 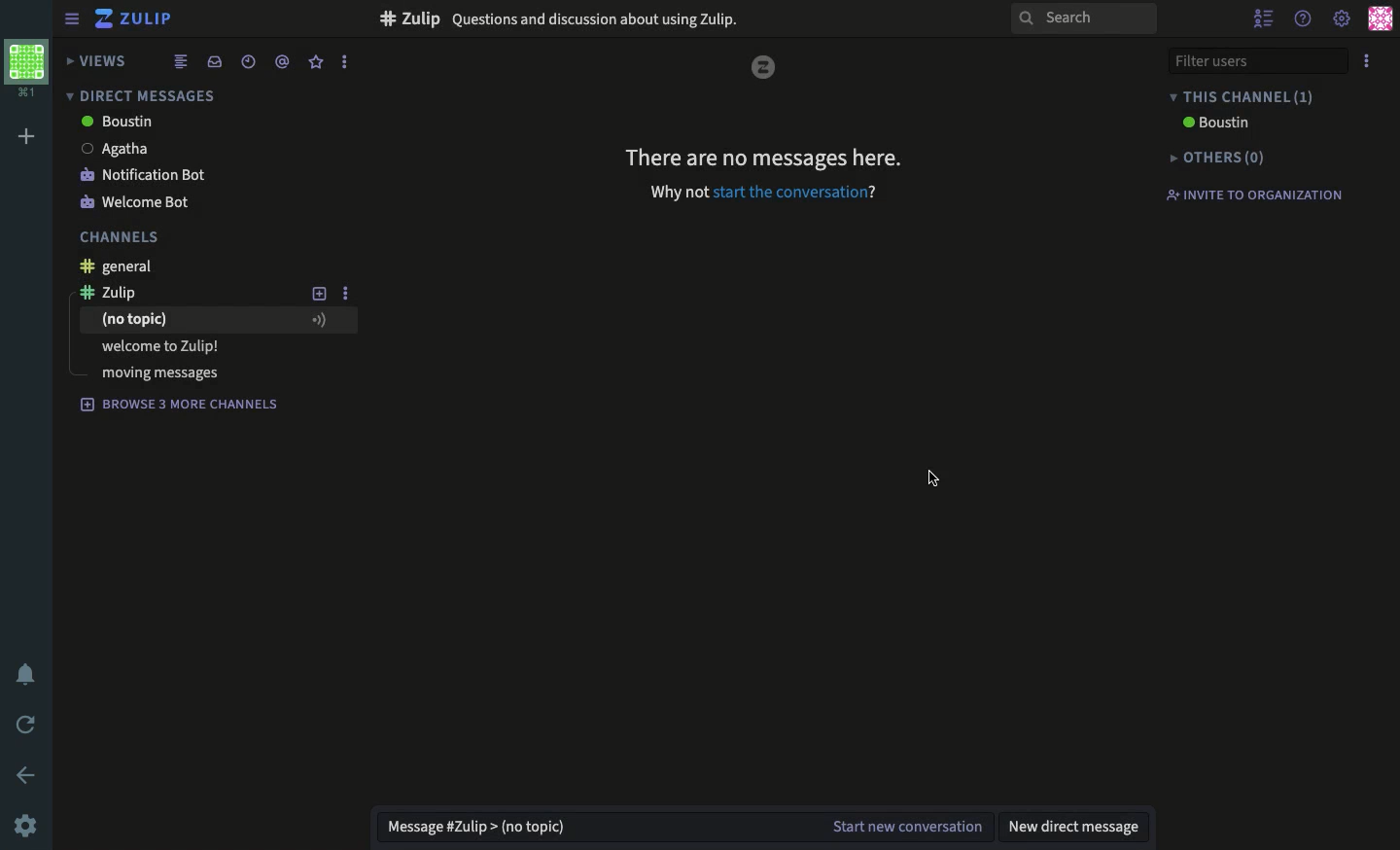 What do you see at coordinates (104, 18) in the screenshot?
I see `zulip logo` at bounding box center [104, 18].